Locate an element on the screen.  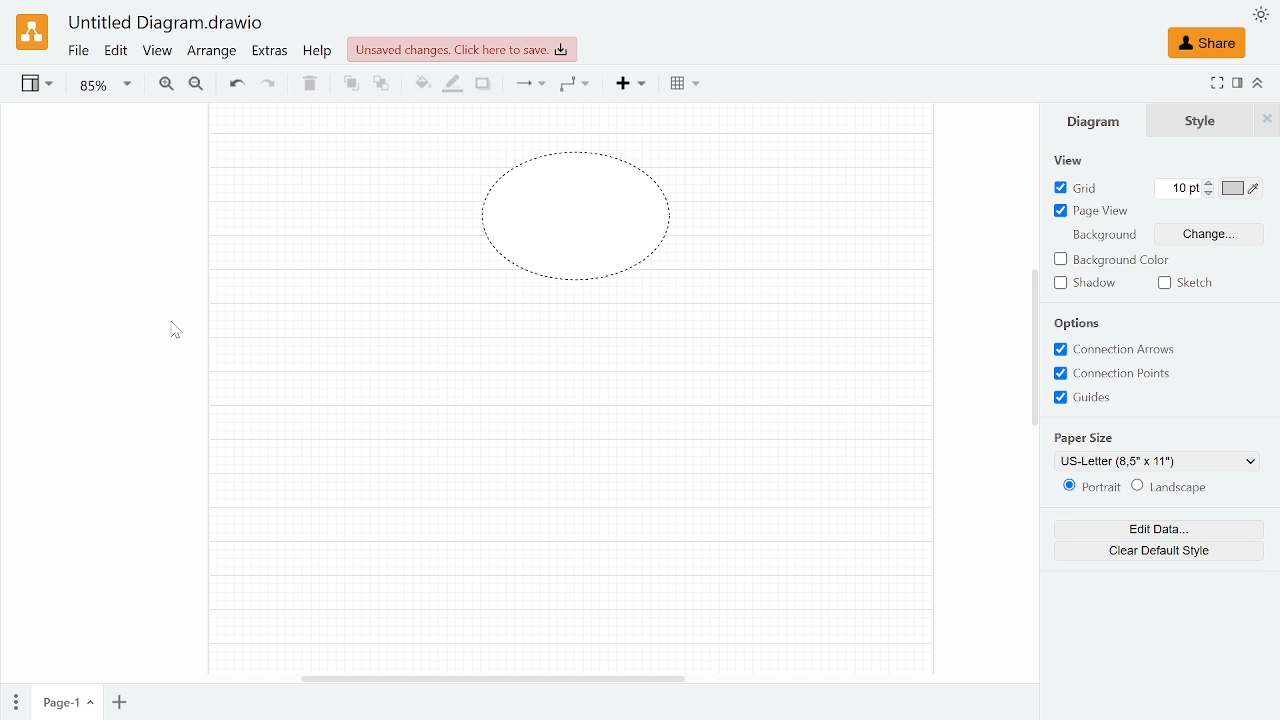
Unsaved changes. Click here to save is located at coordinates (457, 49).